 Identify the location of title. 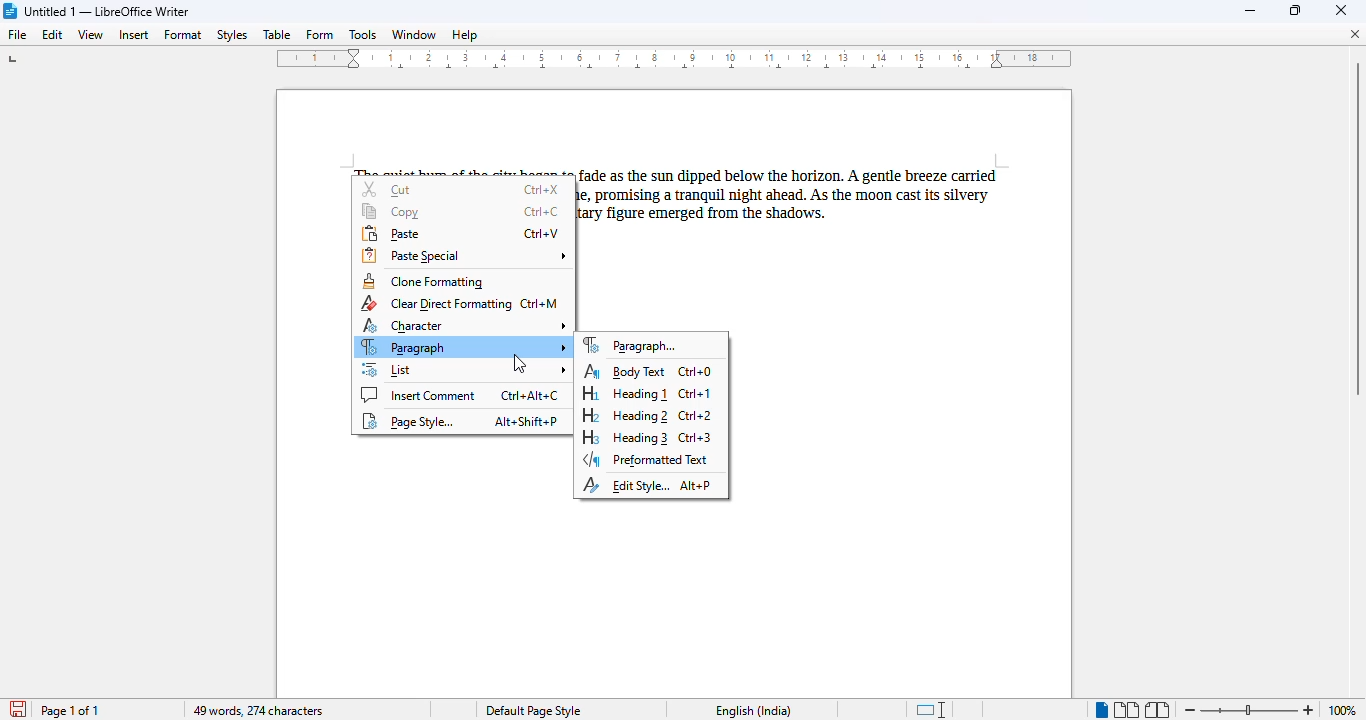
(107, 11).